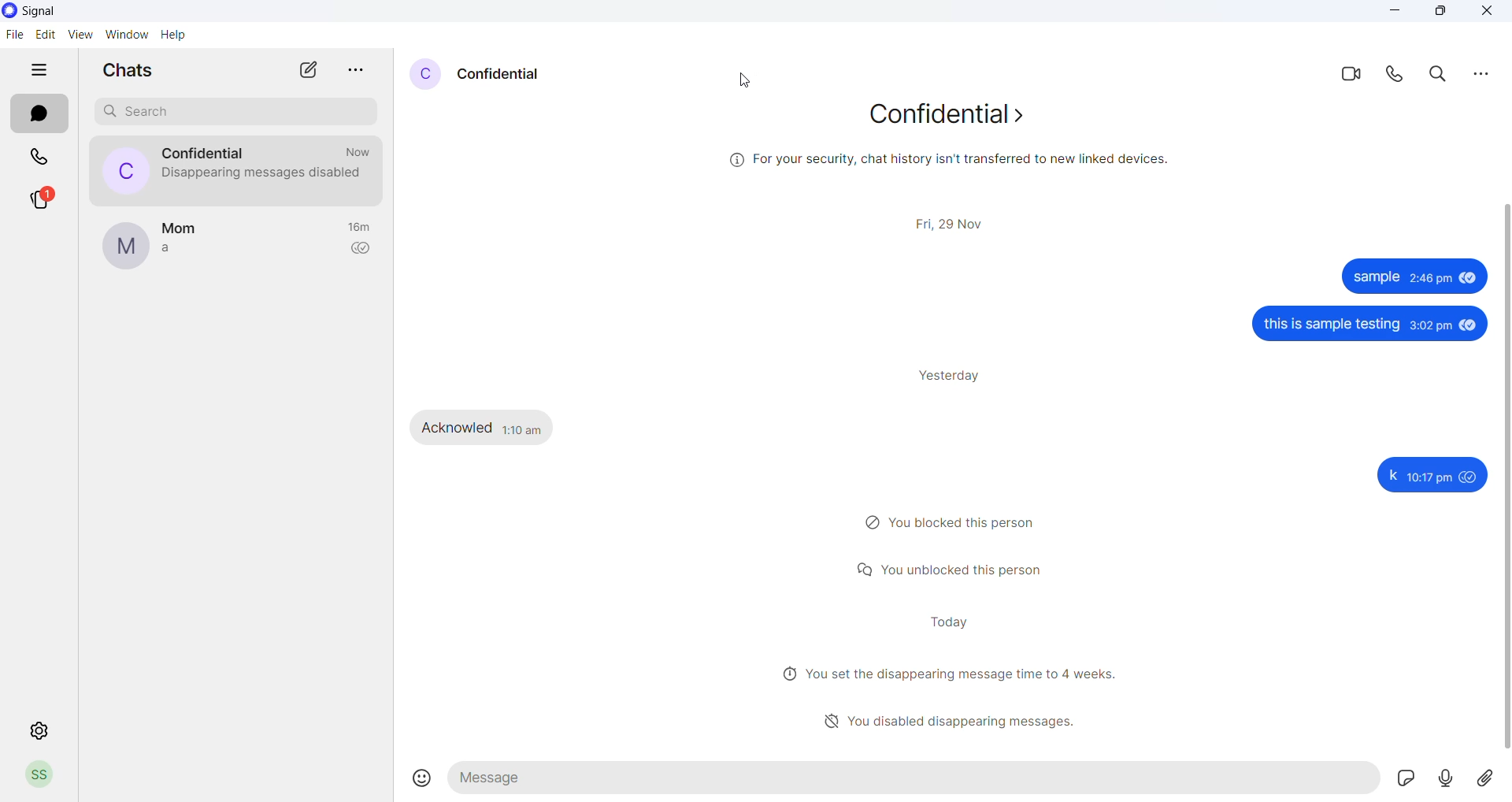 This screenshot has width=1512, height=802. I want to click on hide tabs, so click(37, 74).